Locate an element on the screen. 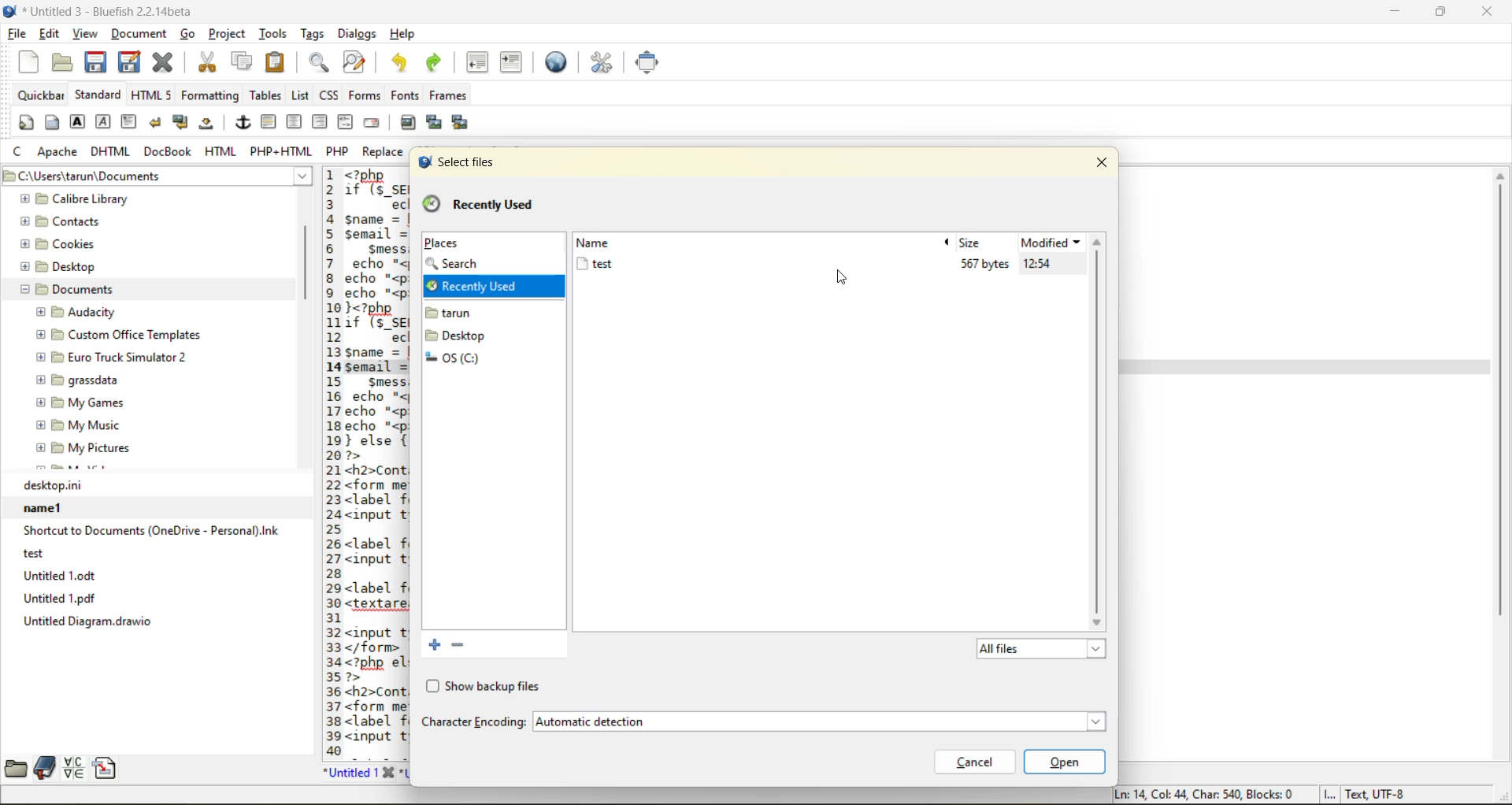  name is located at coordinates (602, 243).